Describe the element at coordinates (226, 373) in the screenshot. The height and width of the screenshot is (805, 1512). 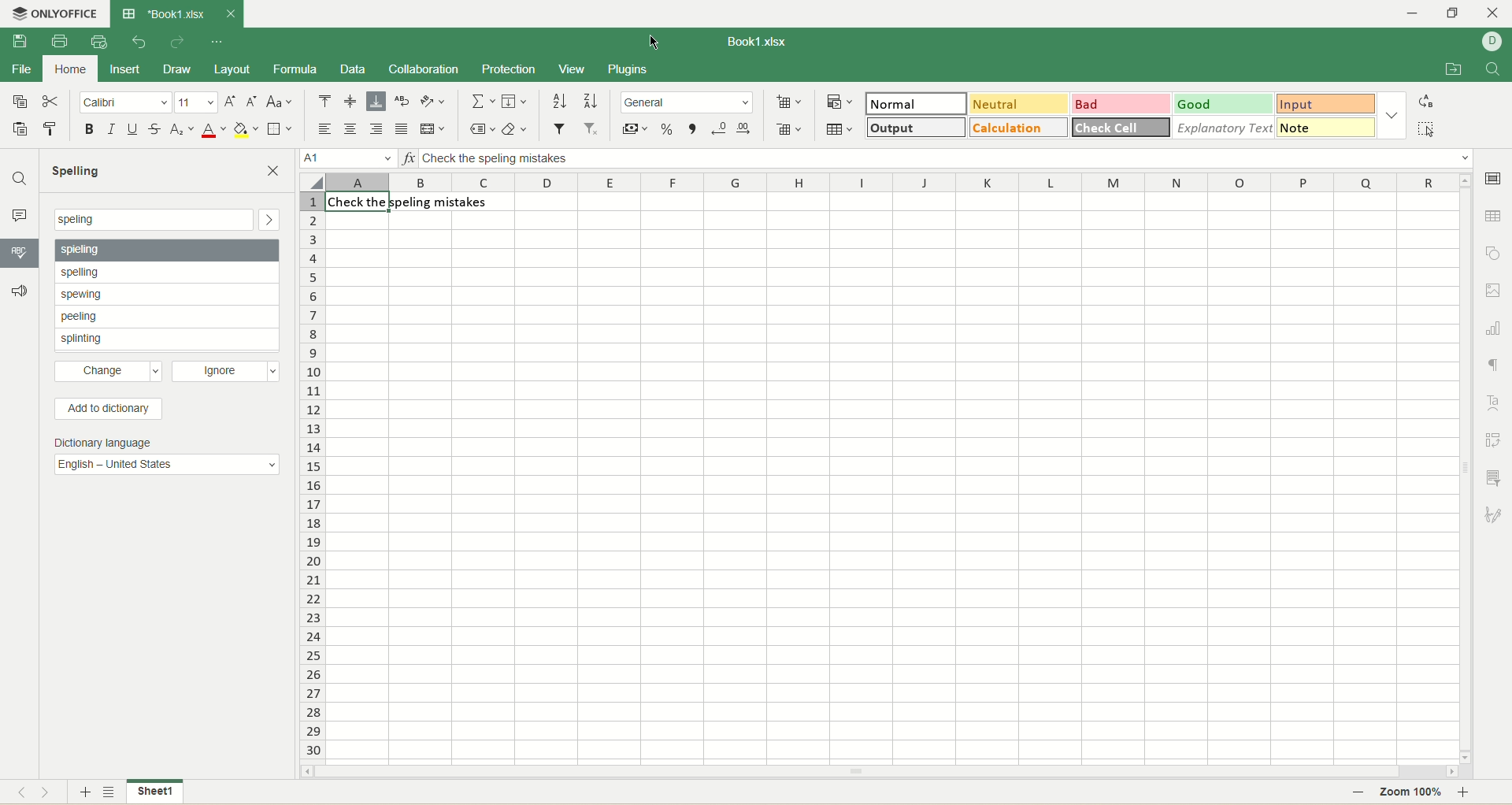
I see `ignore` at that location.